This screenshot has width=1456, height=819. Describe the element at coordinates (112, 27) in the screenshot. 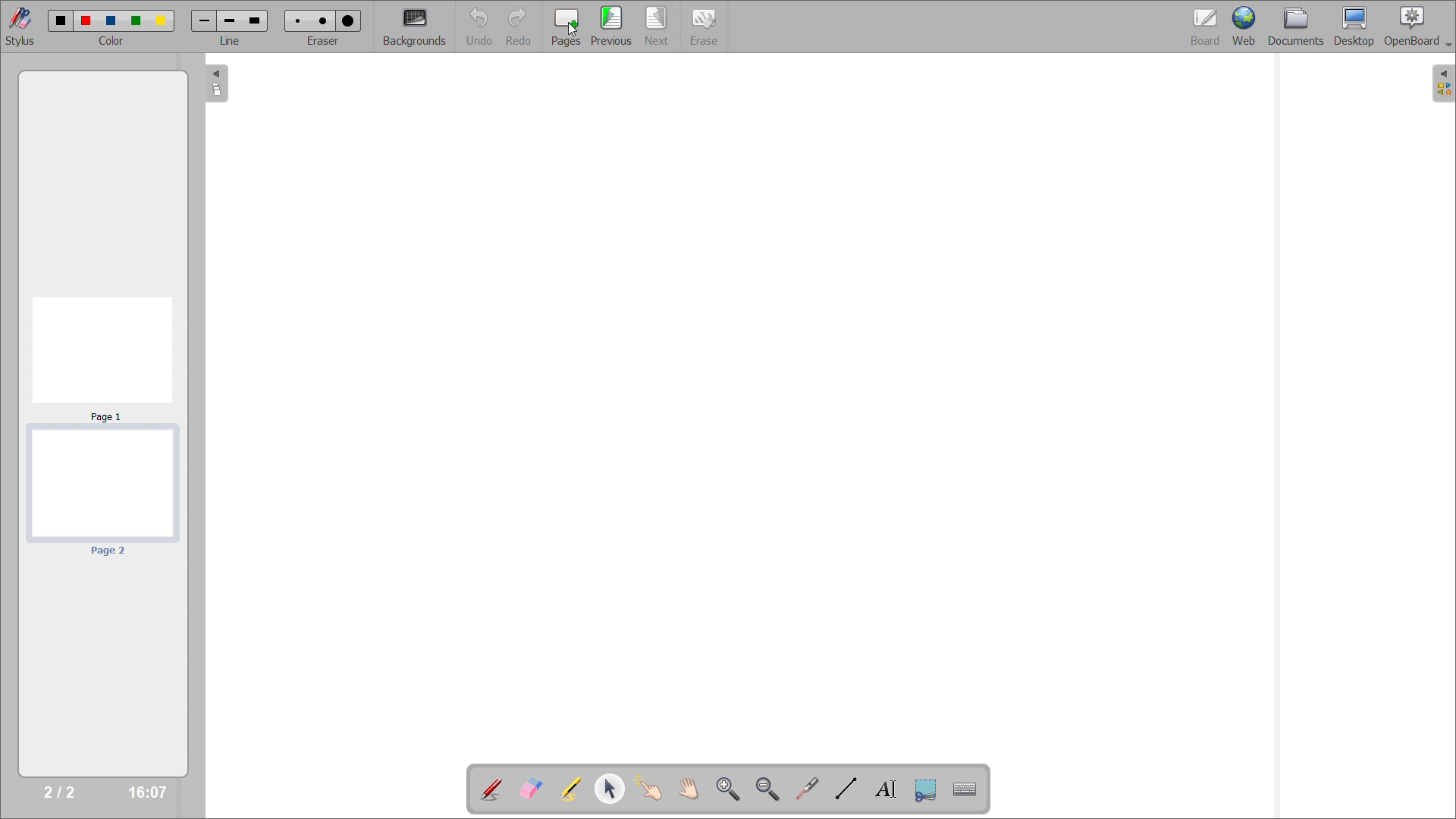

I see `color` at that location.